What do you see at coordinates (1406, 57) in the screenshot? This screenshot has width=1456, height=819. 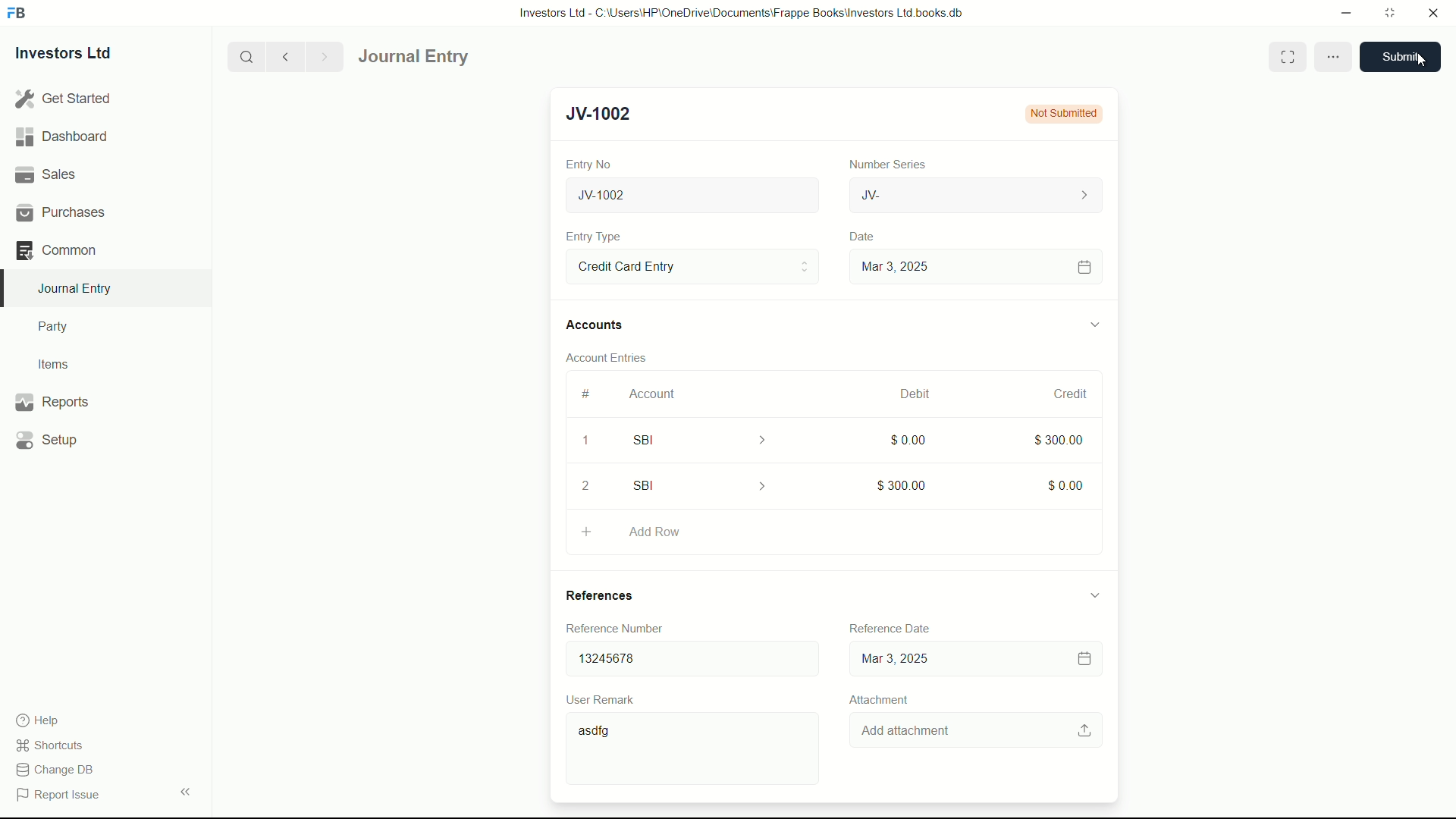 I see `submit` at bounding box center [1406, 57].